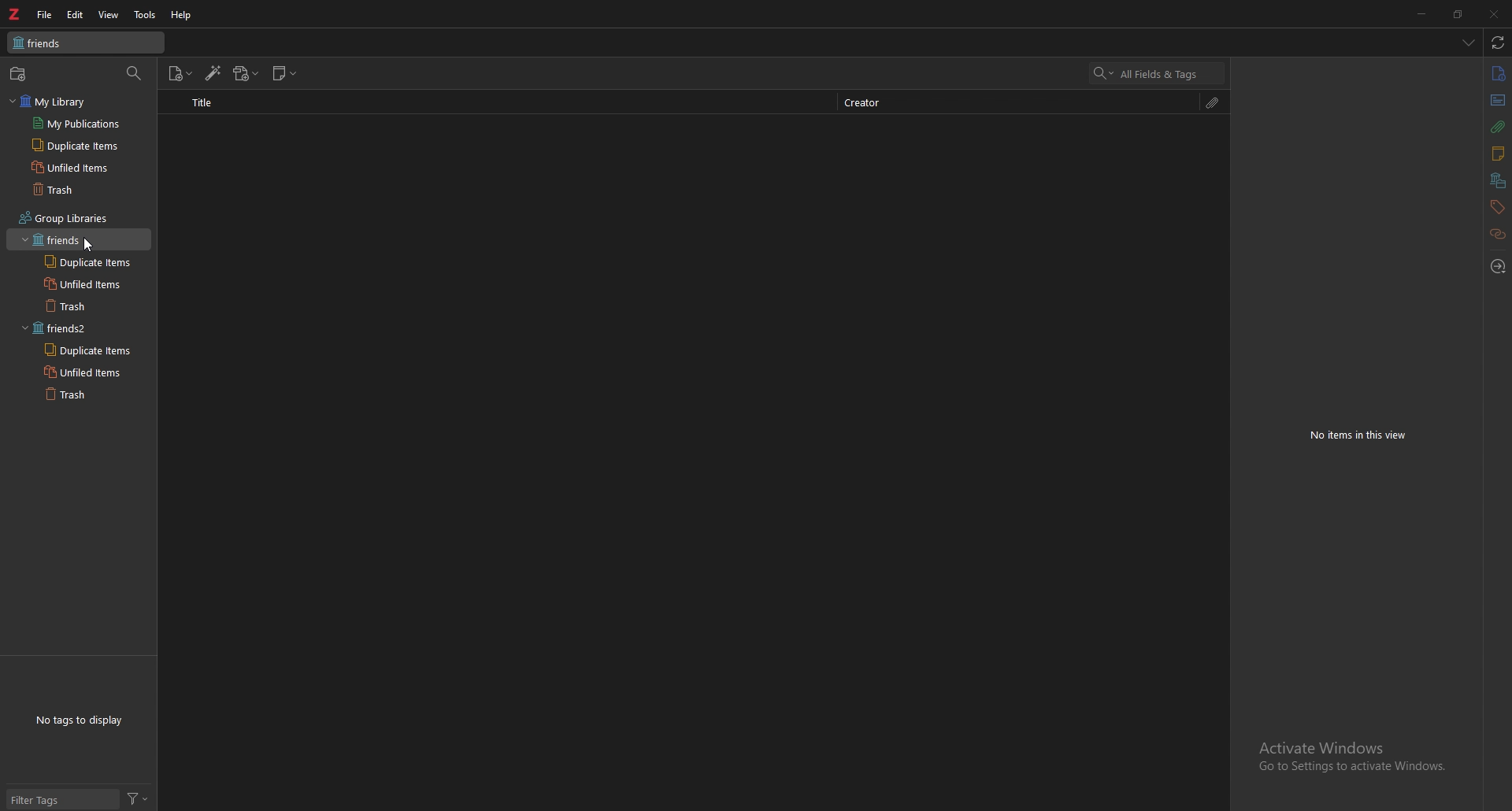  Describe the element at coordinates (77, 329) in the screenshot. I see `grouped library 2` at that location.